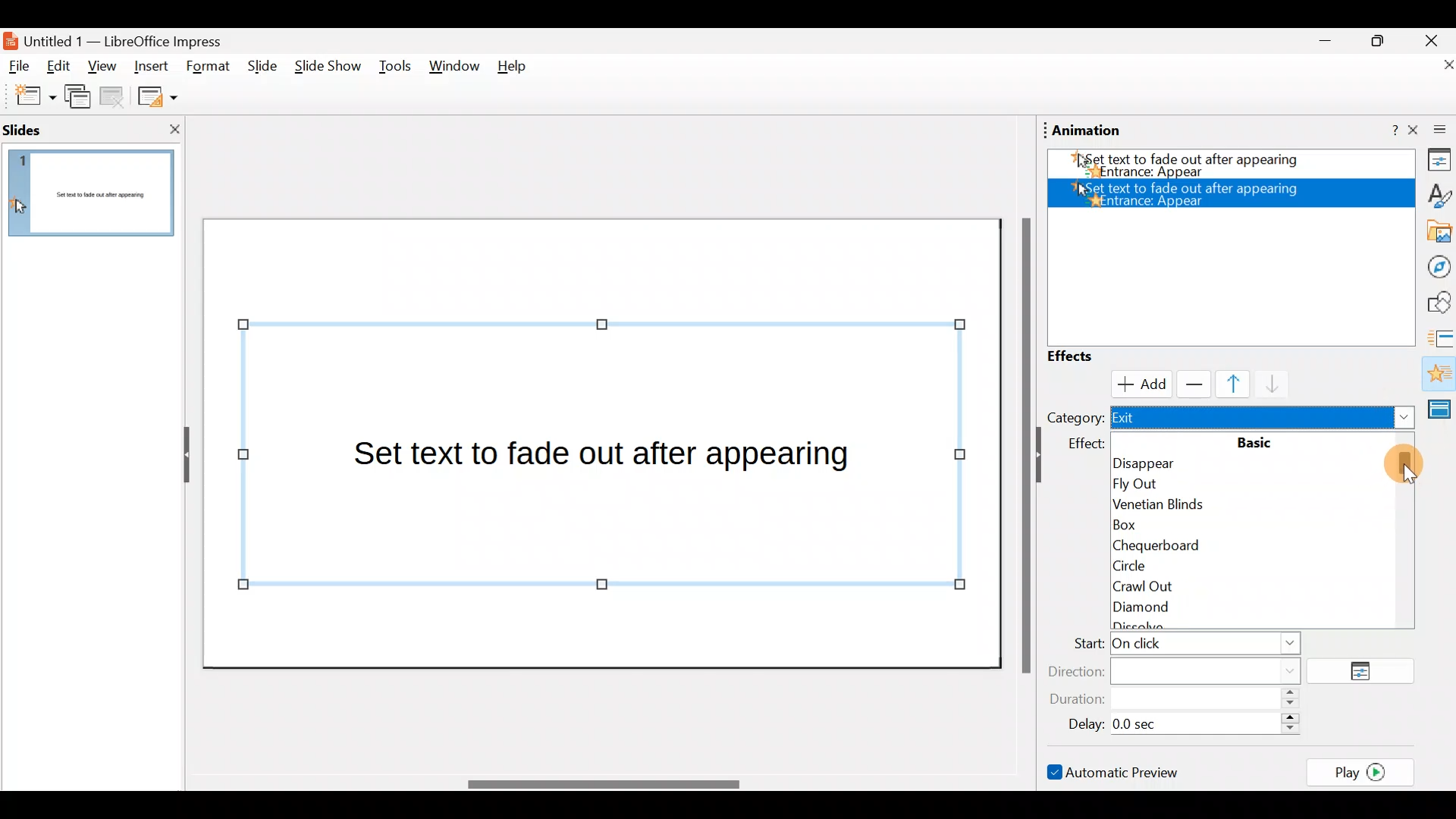  I want to click on Cursor, so click(1410, 463).